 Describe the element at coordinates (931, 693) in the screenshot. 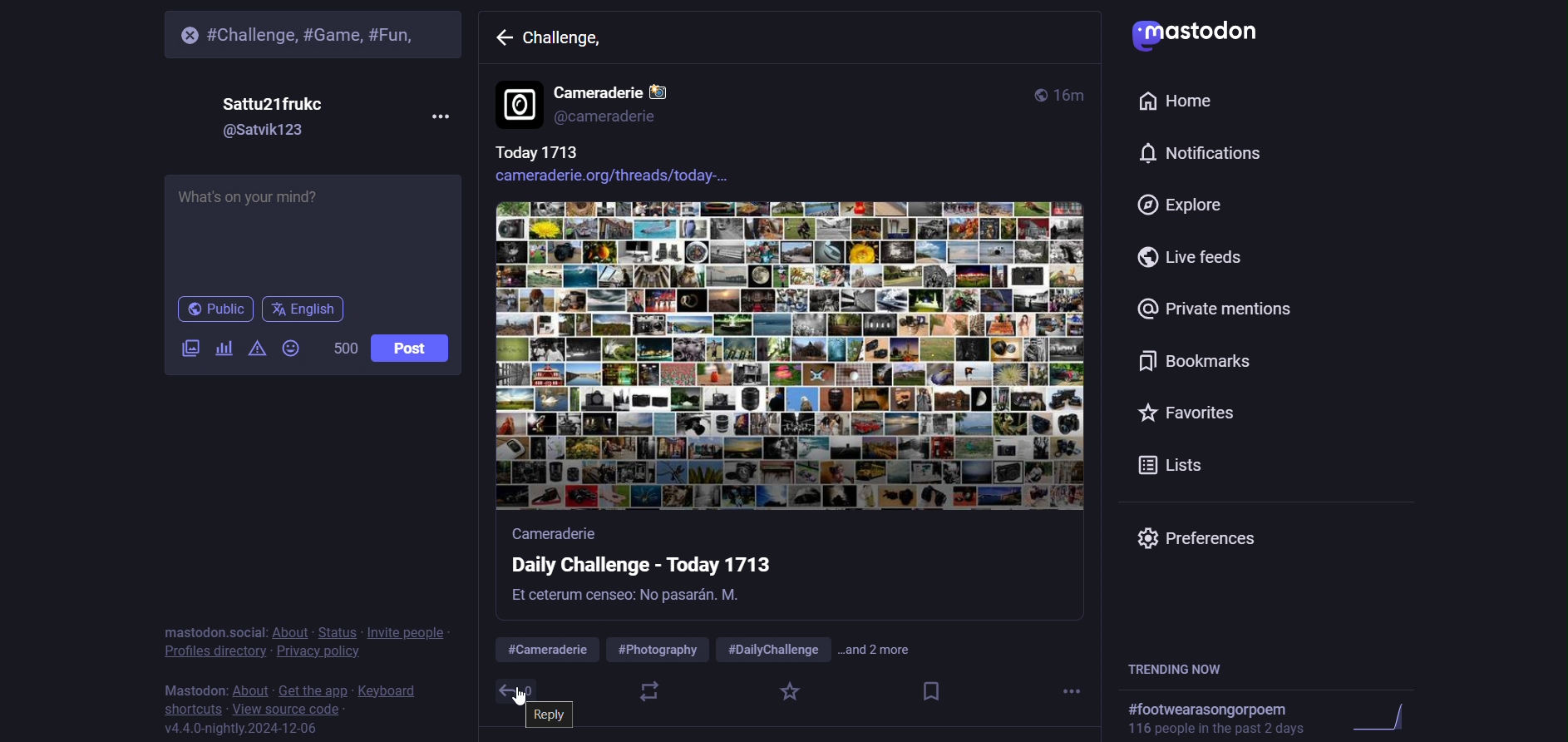

I see `bookmark` at that location.